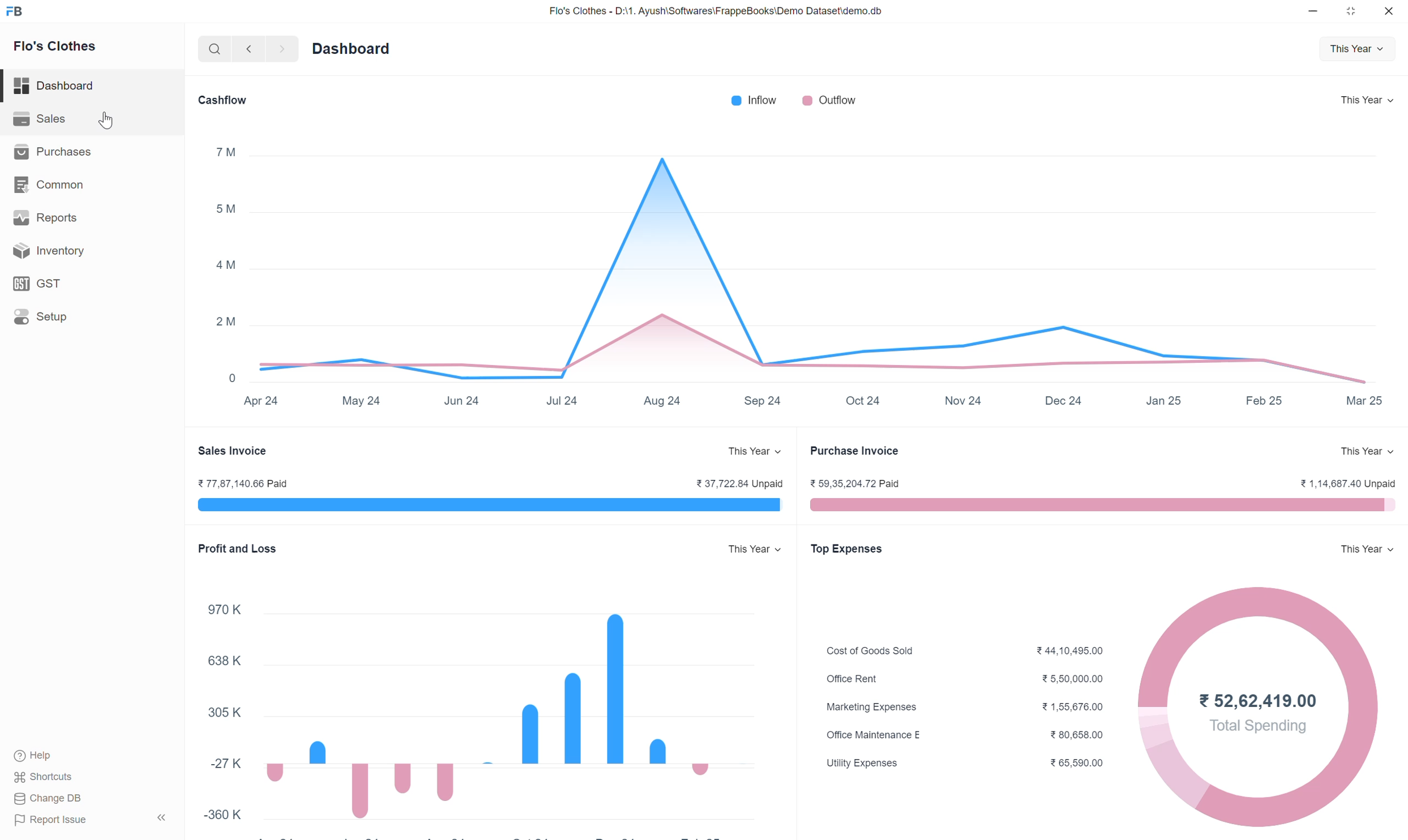 This screenshot has width=1408, height=840. What do you see at coordinates (234, 546) in the screenshot?
I see `Profit and Loss` at bounding box center [234, 546].